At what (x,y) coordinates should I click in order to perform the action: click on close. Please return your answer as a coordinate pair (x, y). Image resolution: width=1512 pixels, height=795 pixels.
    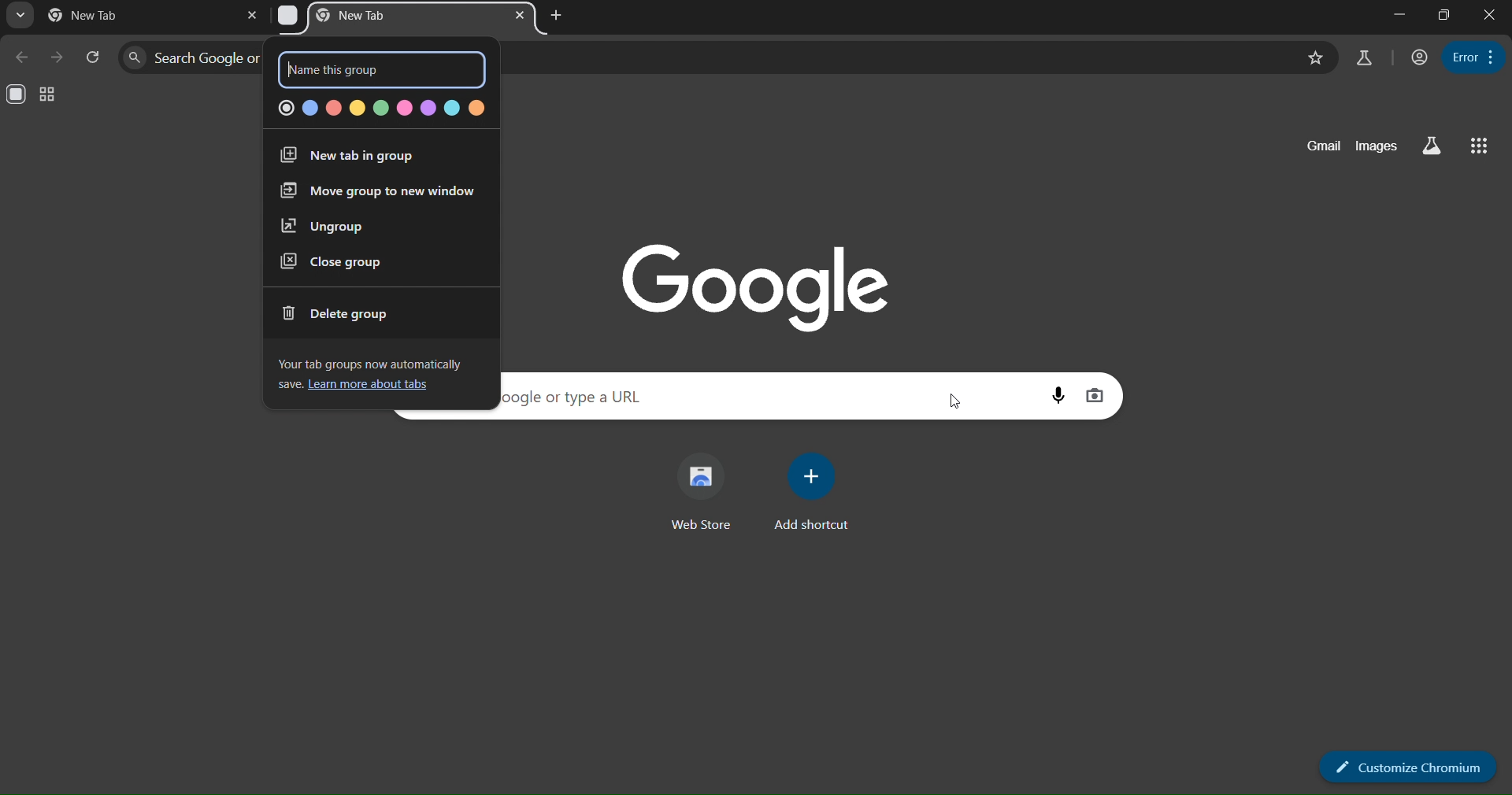
    Looking at the image, I should click on (519, 15).